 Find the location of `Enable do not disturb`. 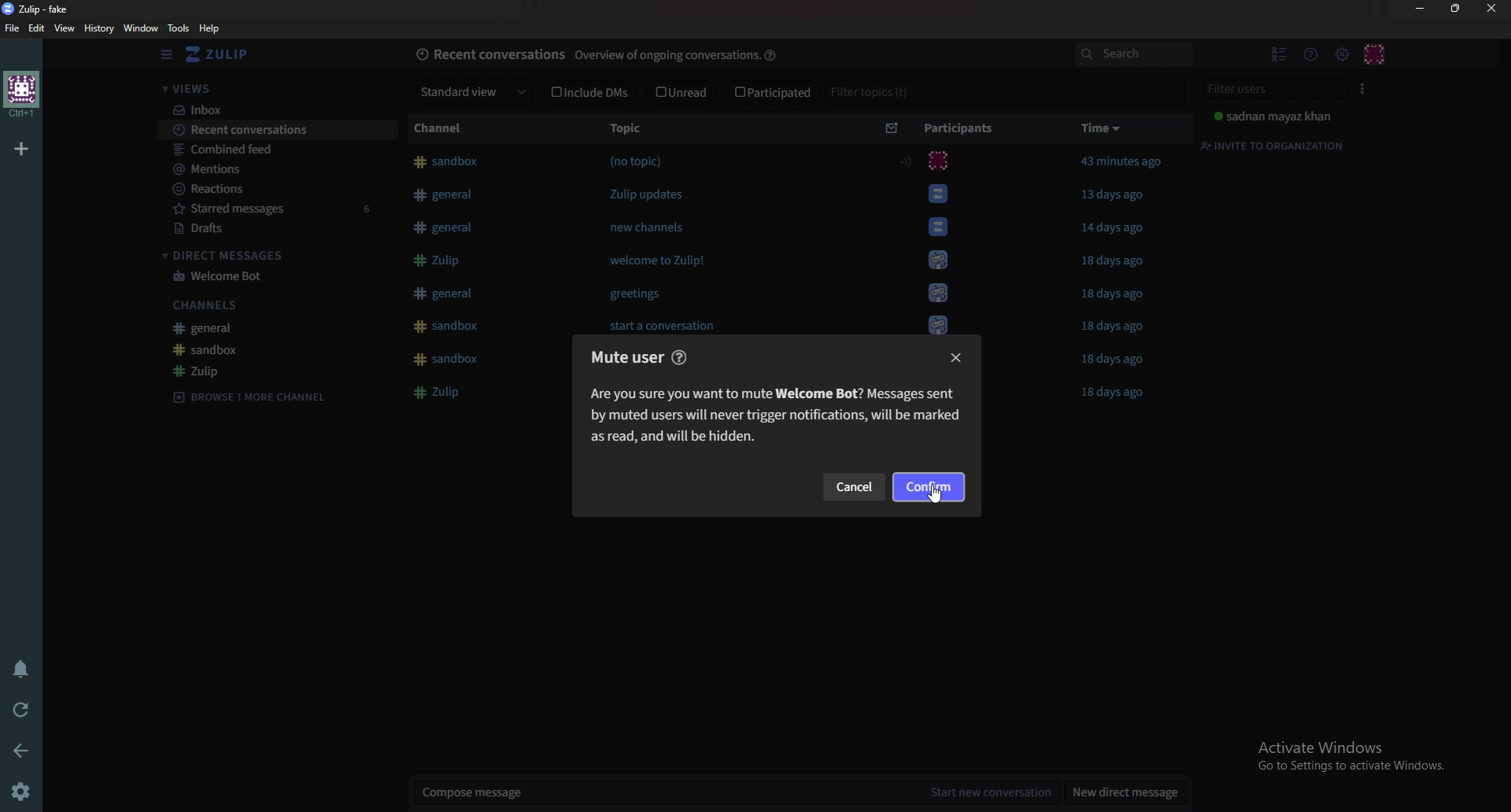

Enable do not disturb is located at coordinates (20, 668).